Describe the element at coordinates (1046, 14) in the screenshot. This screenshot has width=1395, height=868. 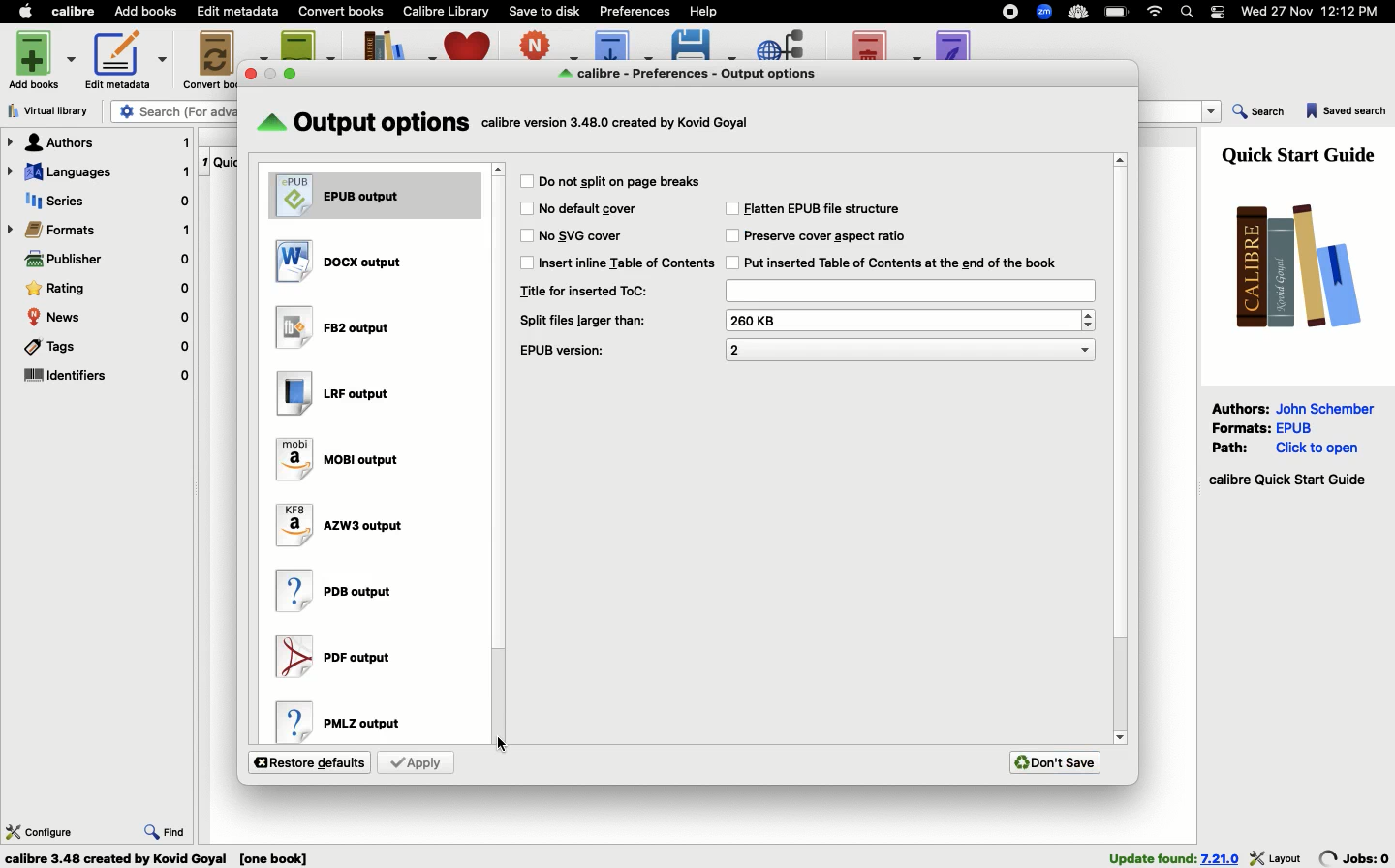
I see `Extensions` at that location.